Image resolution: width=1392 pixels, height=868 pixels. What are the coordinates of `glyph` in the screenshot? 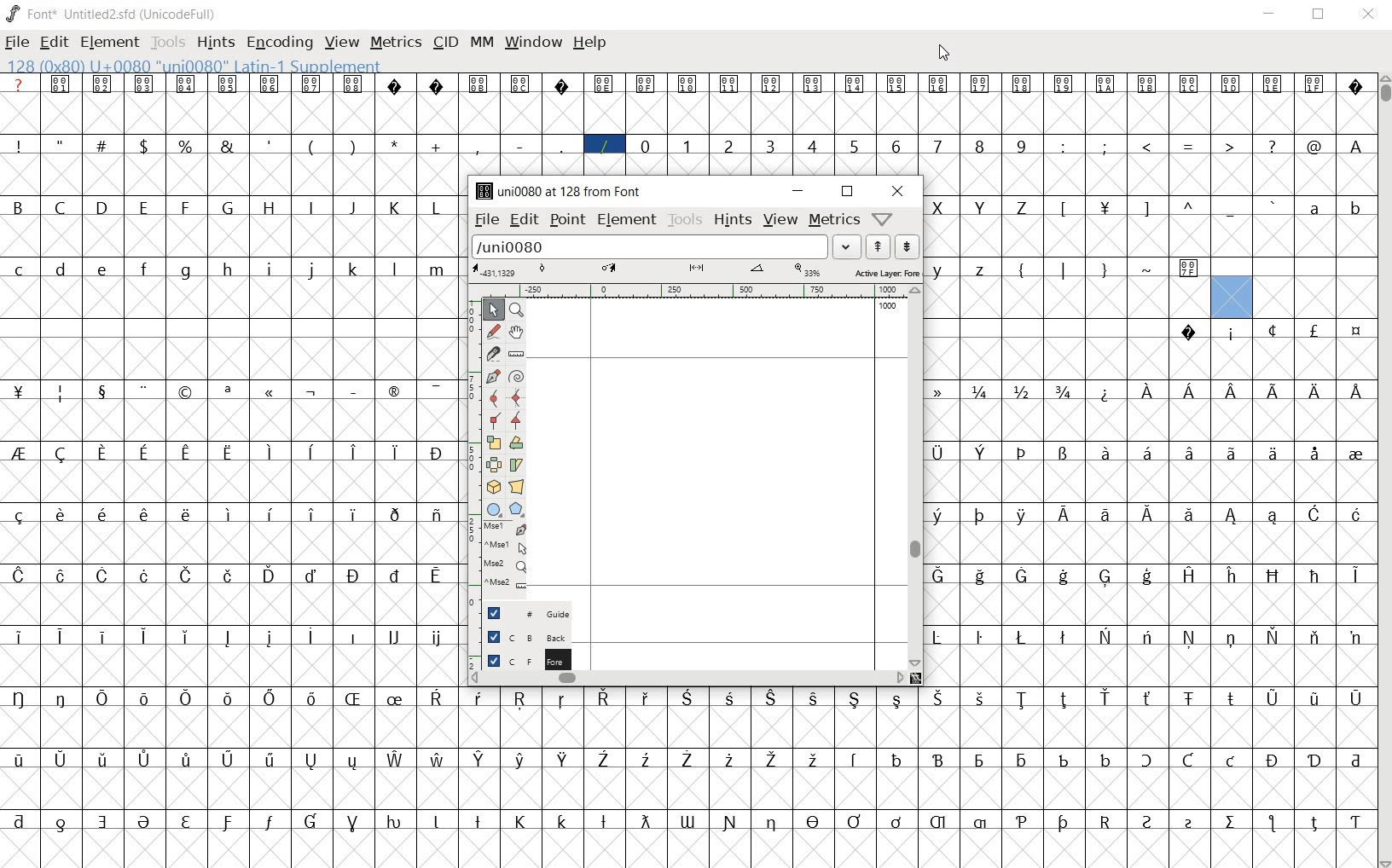 It's located at (1356, 514).